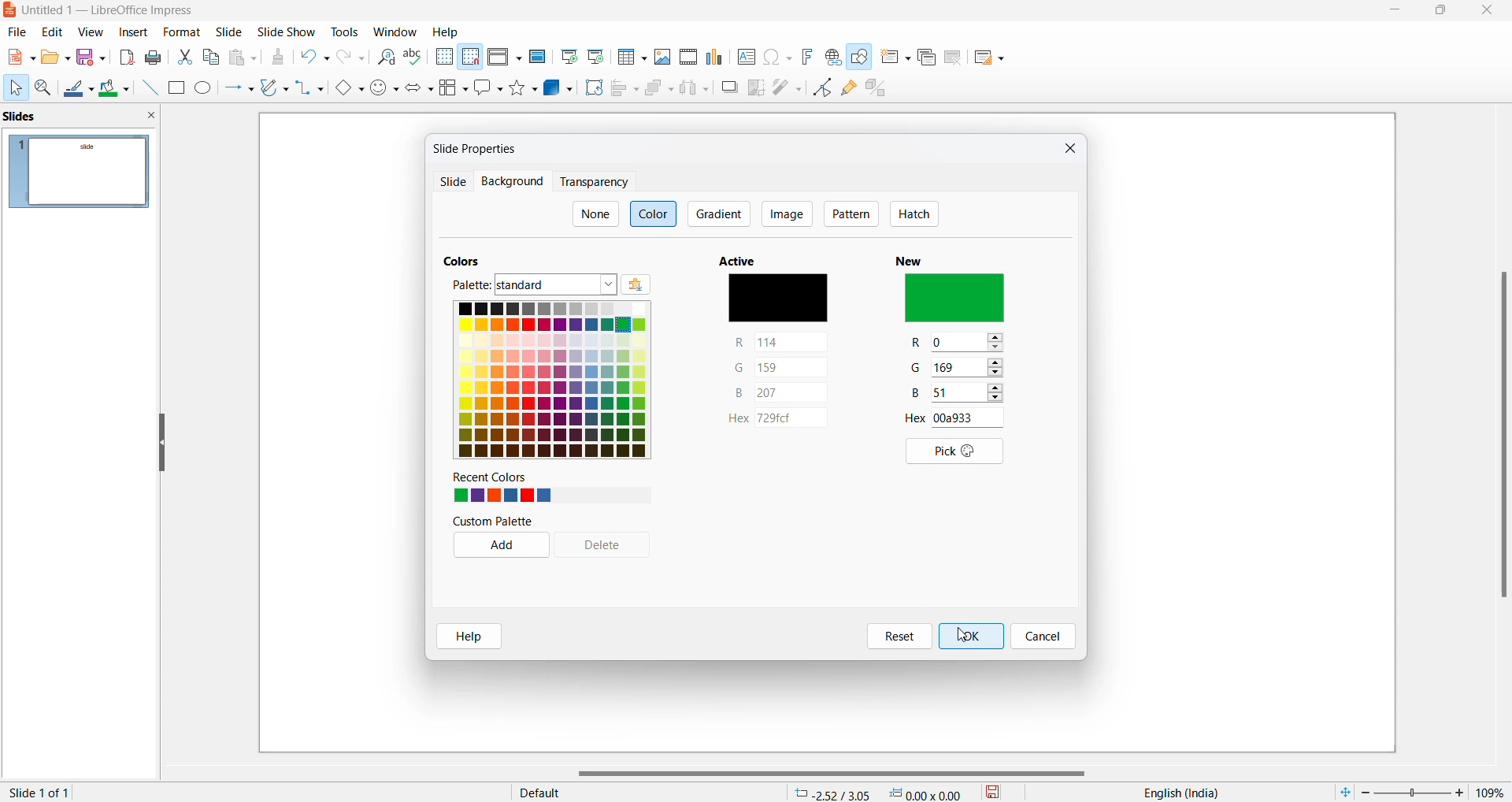 This screenshot has height=802, width=1512. What do you see at coordinates (498, 547) in the screenshot?
I see `add palette` at bounding box center [498, 547].